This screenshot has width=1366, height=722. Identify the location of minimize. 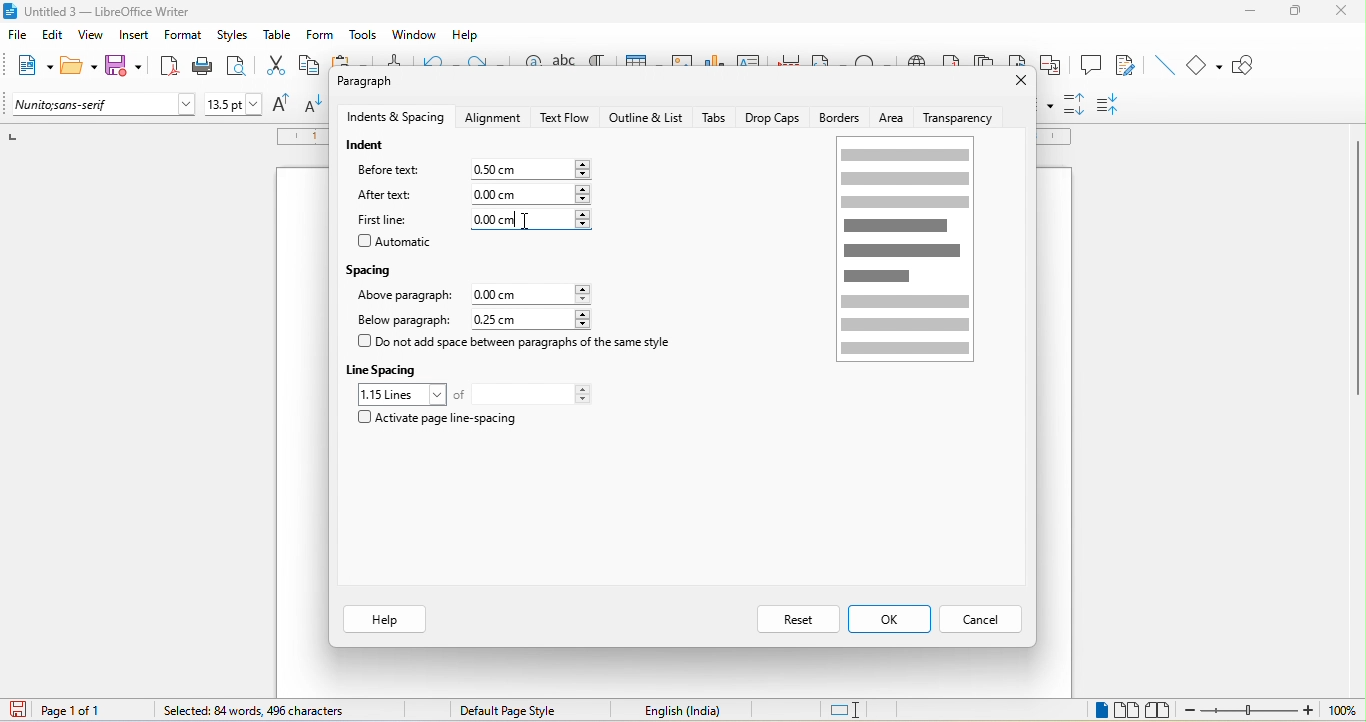
(1249, 13).